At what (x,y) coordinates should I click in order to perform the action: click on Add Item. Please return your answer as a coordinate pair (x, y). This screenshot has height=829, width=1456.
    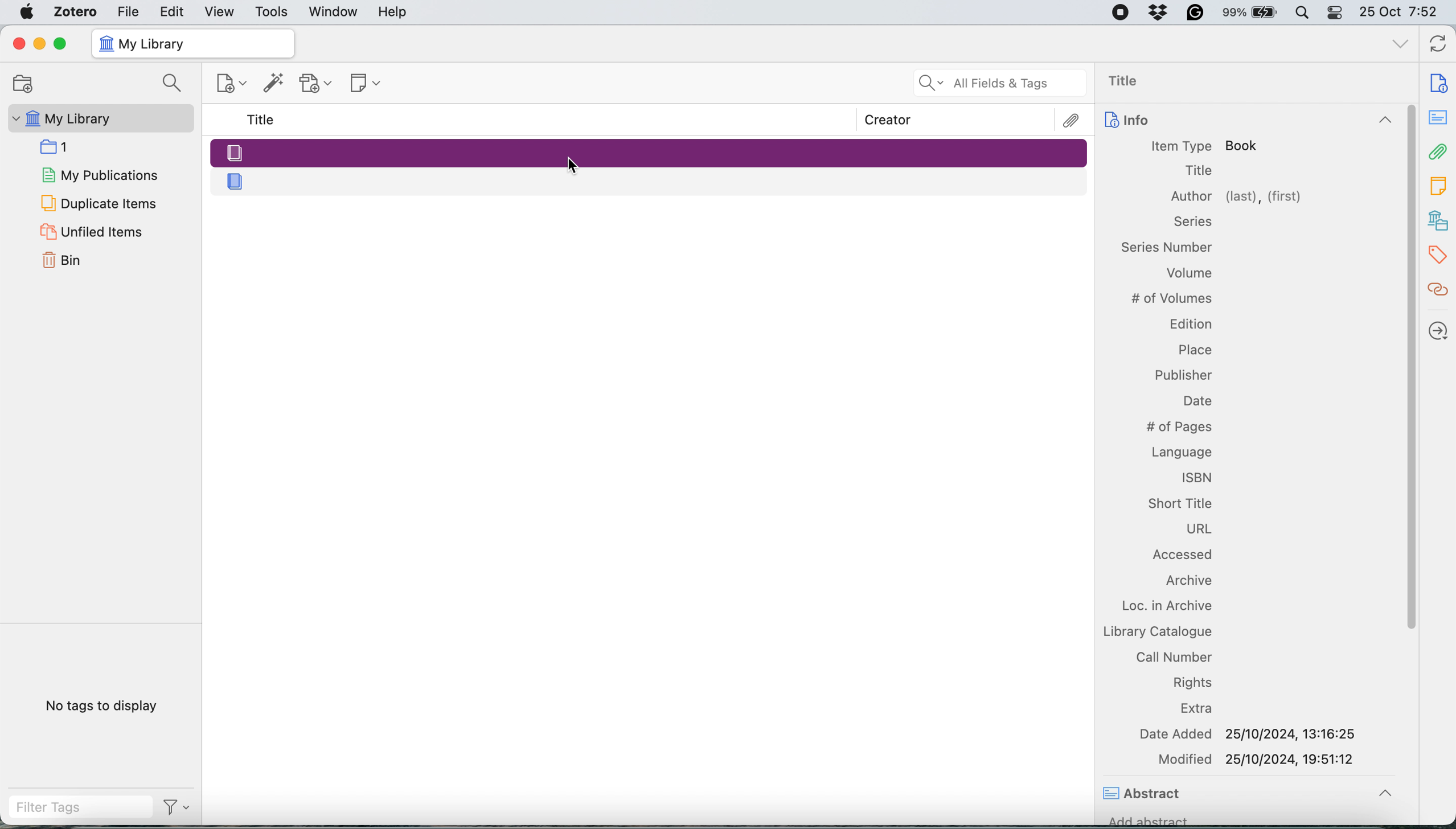
    Looking at the image, I should click on (274, 86).